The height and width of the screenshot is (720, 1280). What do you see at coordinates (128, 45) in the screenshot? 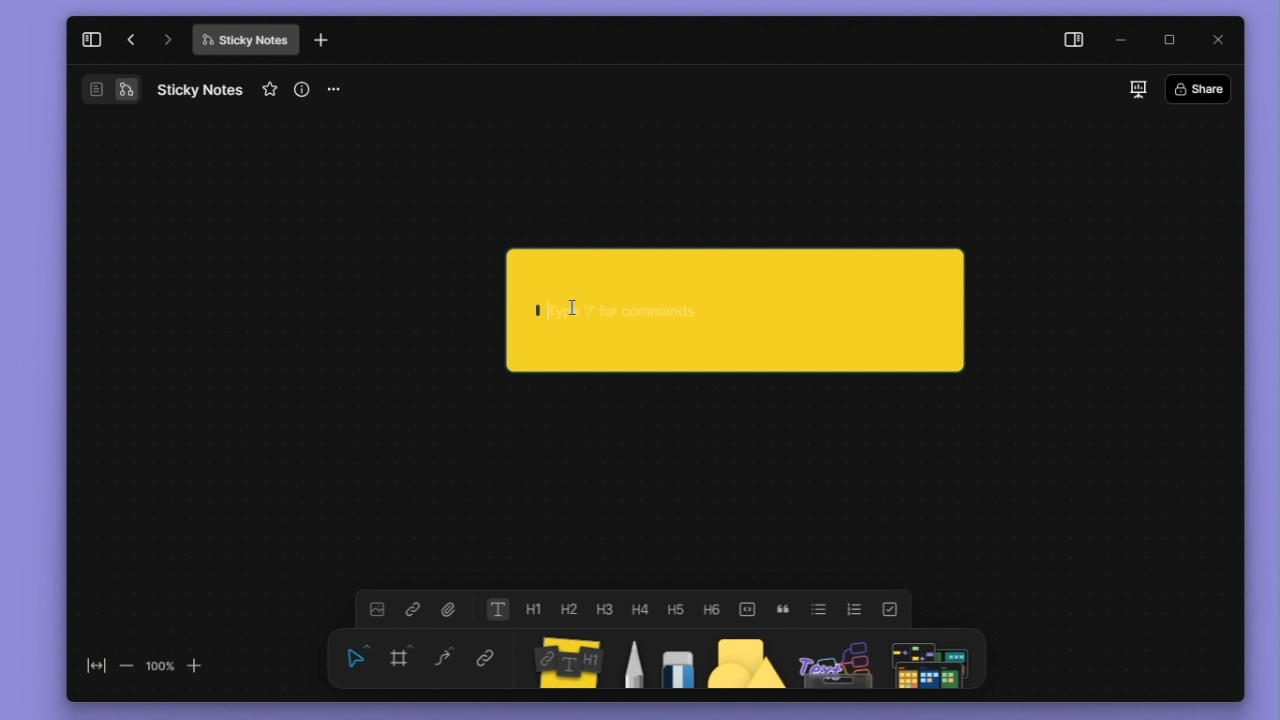
I see `go back` at bounding box center [128, 45].